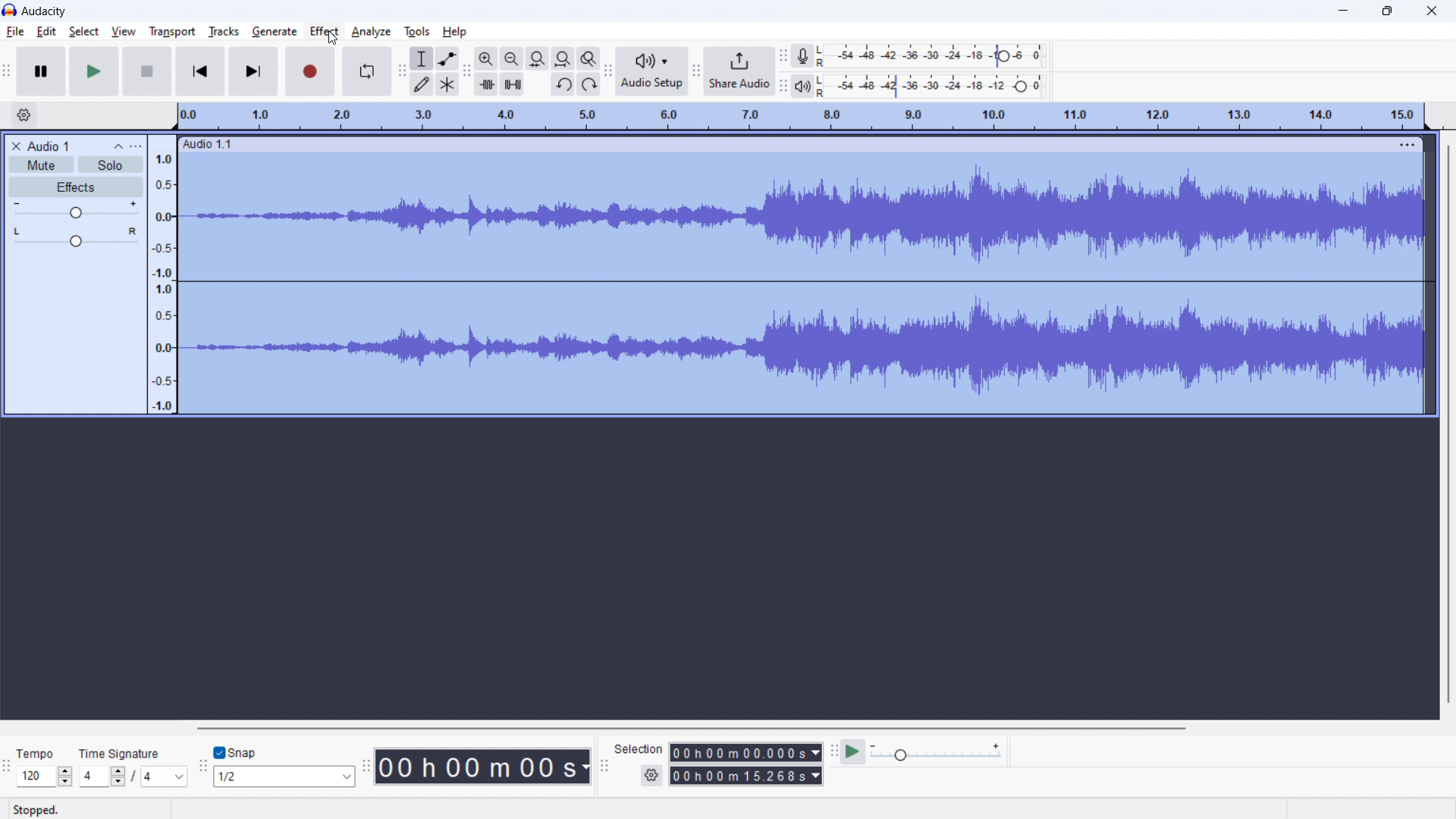 Image resolution: width=1456 pixels, height=819 pixels. What do you see at coordinates (285, 776) in the screenshot?
I see `1/2 (select snap)` at bounding box center [285, 776].